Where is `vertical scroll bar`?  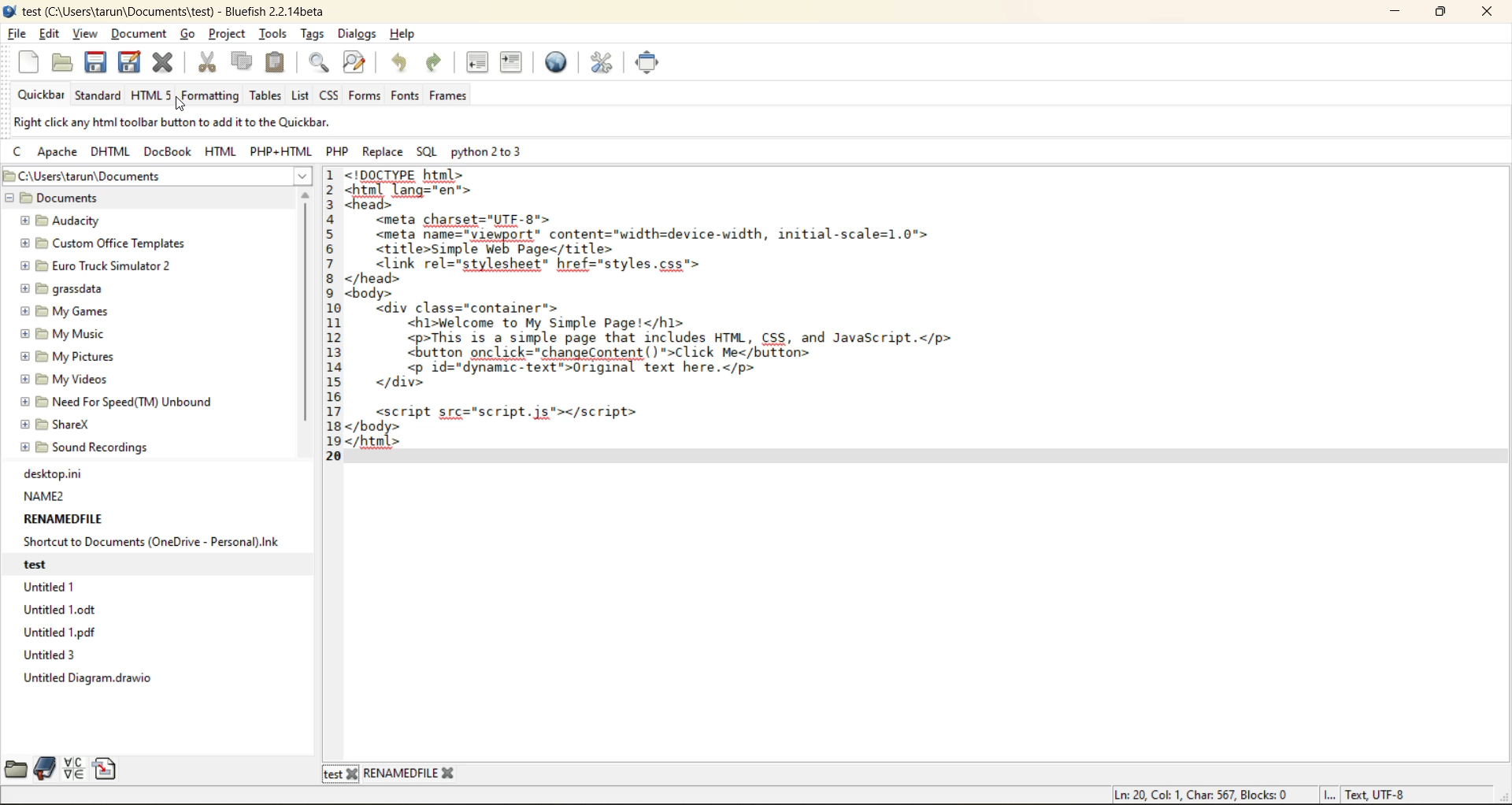 vertical scroll bar is located at coordinates (307, 321).